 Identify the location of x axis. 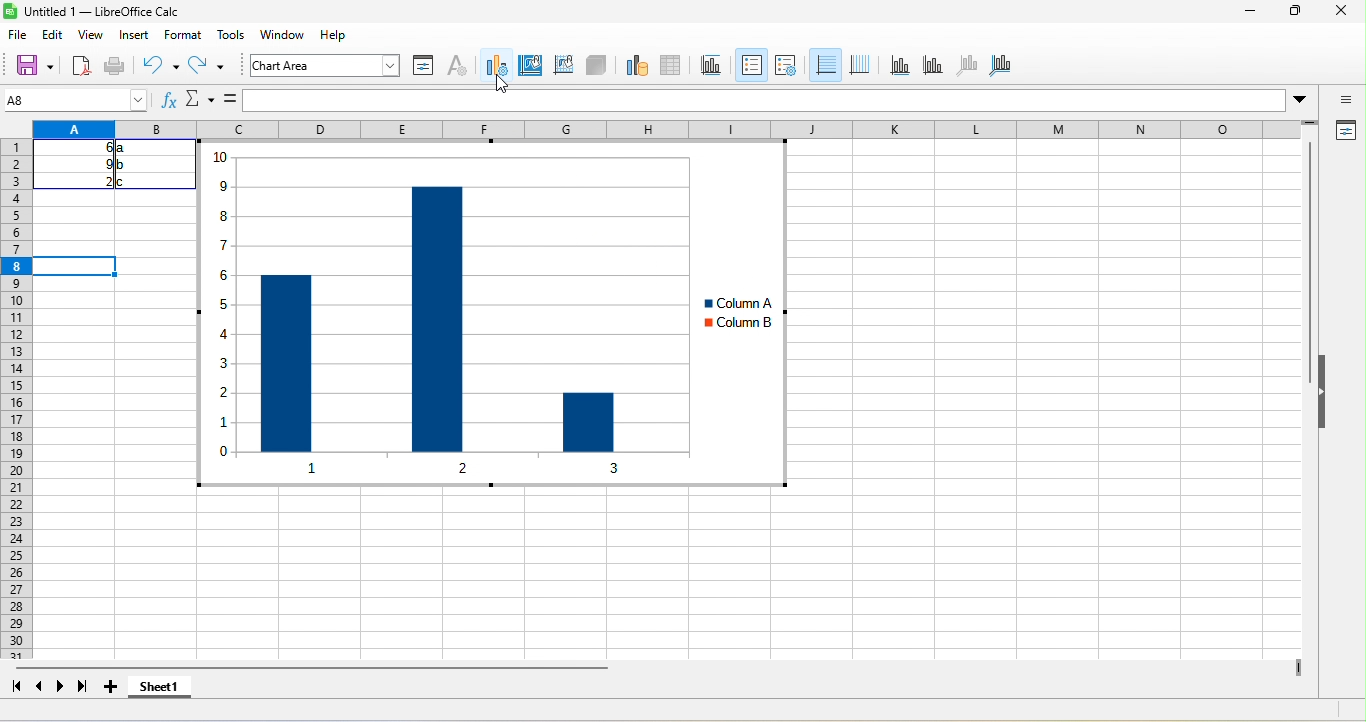
(898, 68).